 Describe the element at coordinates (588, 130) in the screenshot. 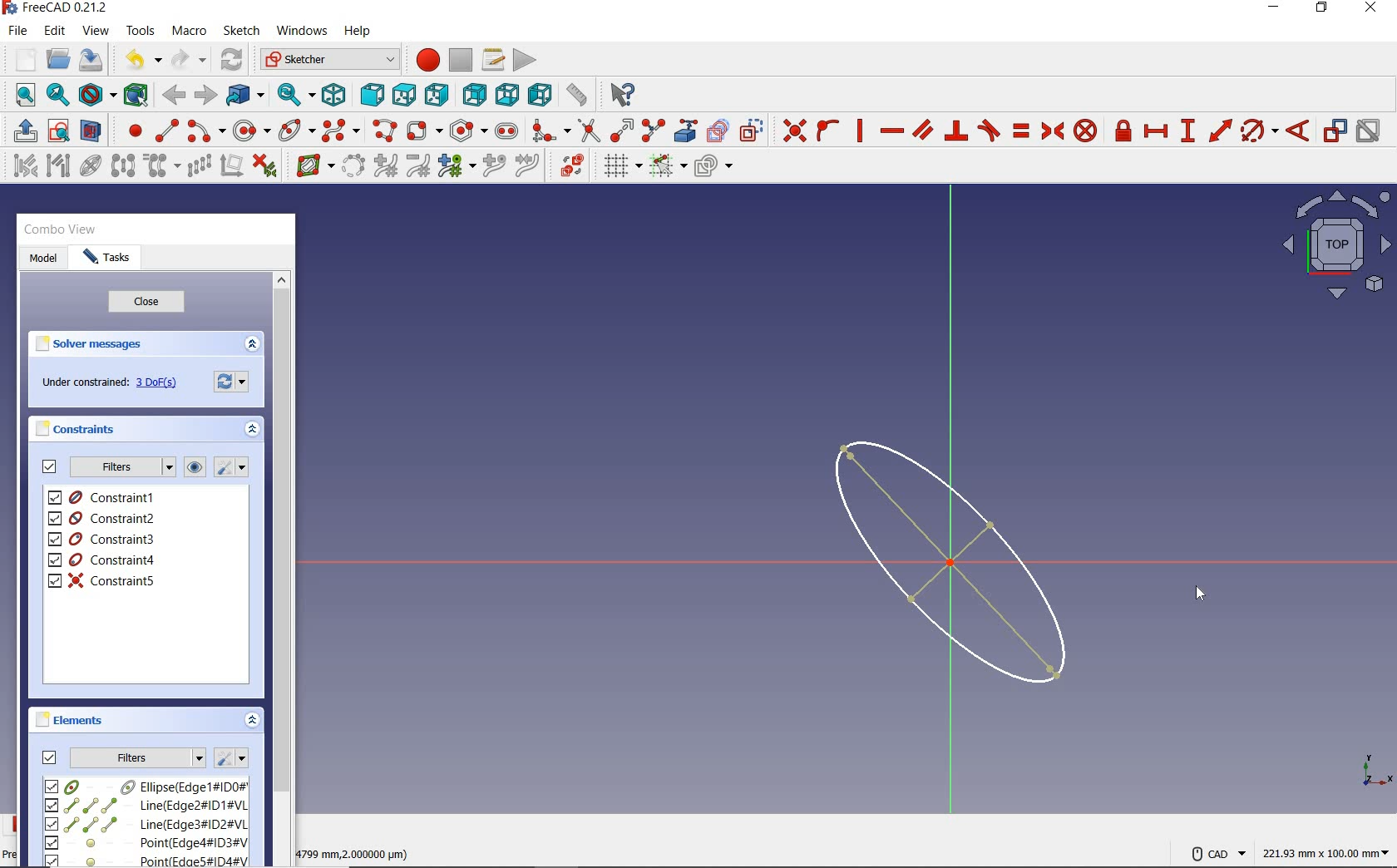

I see `trim edge` at that location.